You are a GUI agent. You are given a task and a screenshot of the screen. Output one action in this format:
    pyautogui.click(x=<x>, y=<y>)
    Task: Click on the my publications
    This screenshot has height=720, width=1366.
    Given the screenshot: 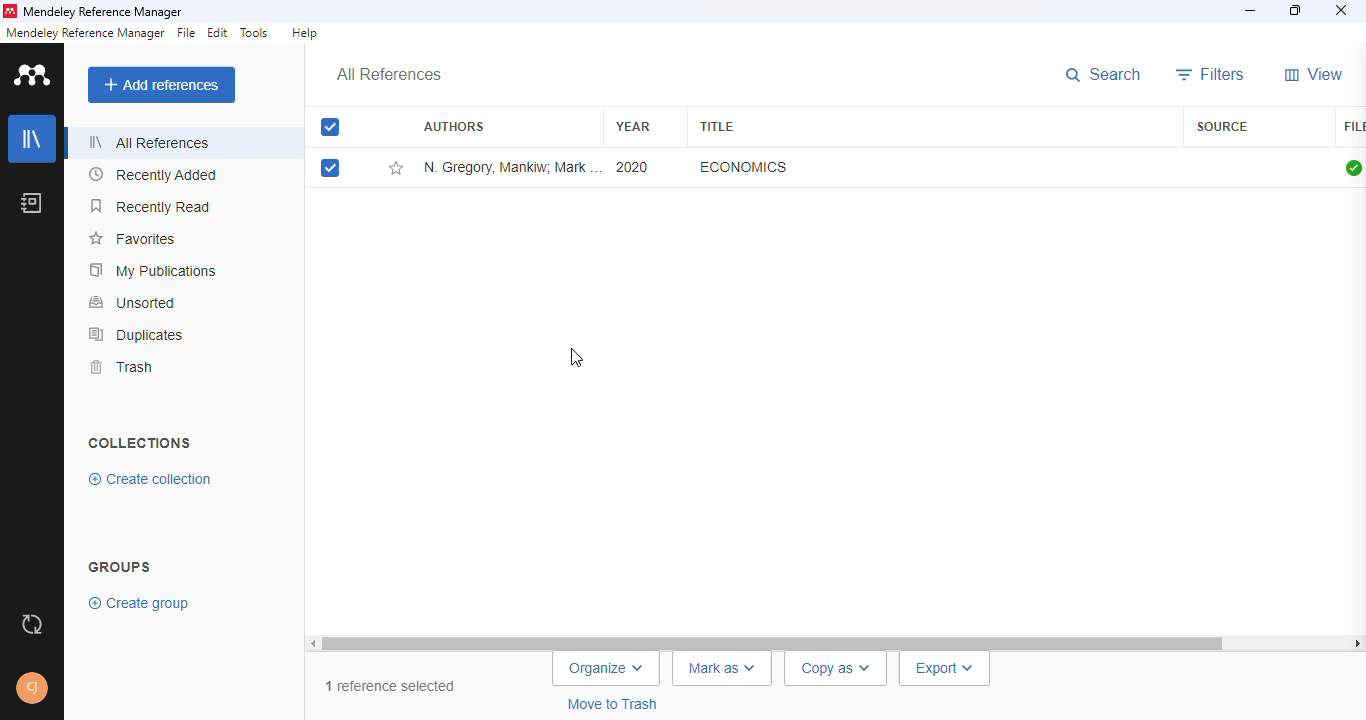 What is the action you would take?
    pyautogui.click(x=154, y=270)
    